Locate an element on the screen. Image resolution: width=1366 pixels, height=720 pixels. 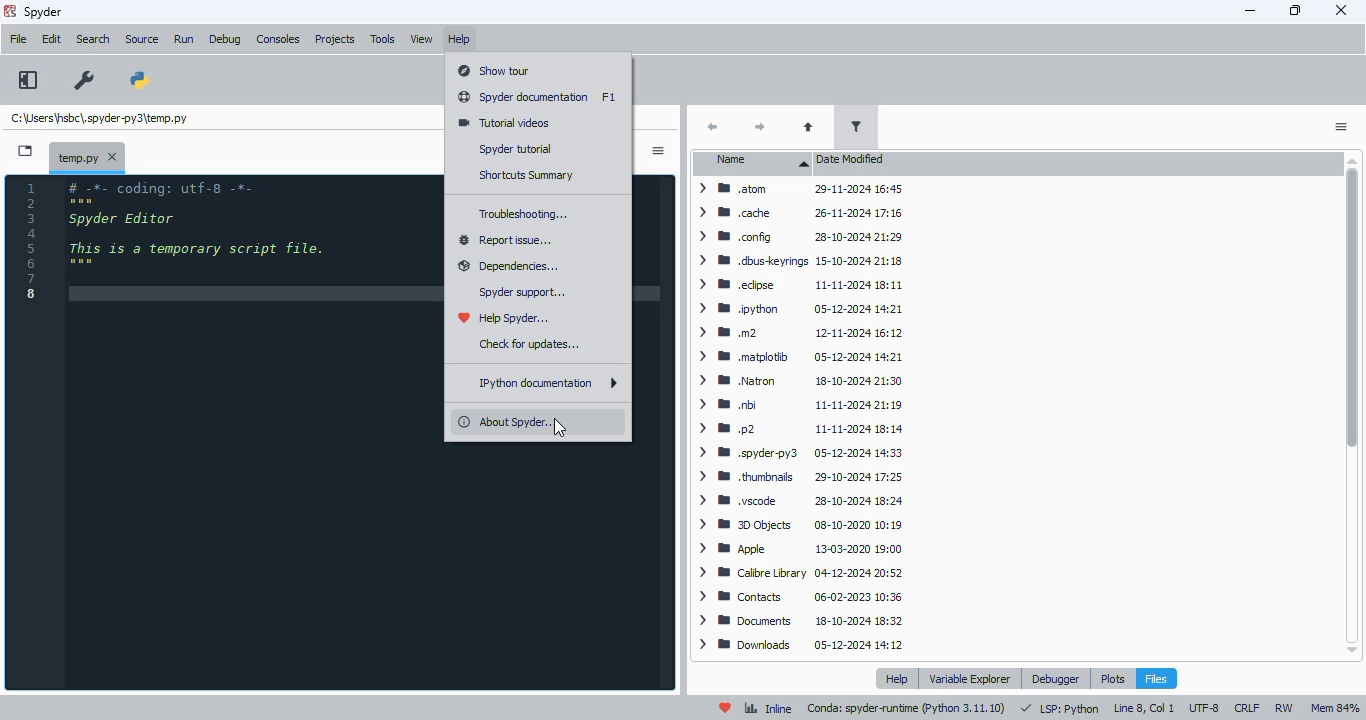
> BB Contacts 06-02-2023 10:36 is located at coordinates (799, 596).